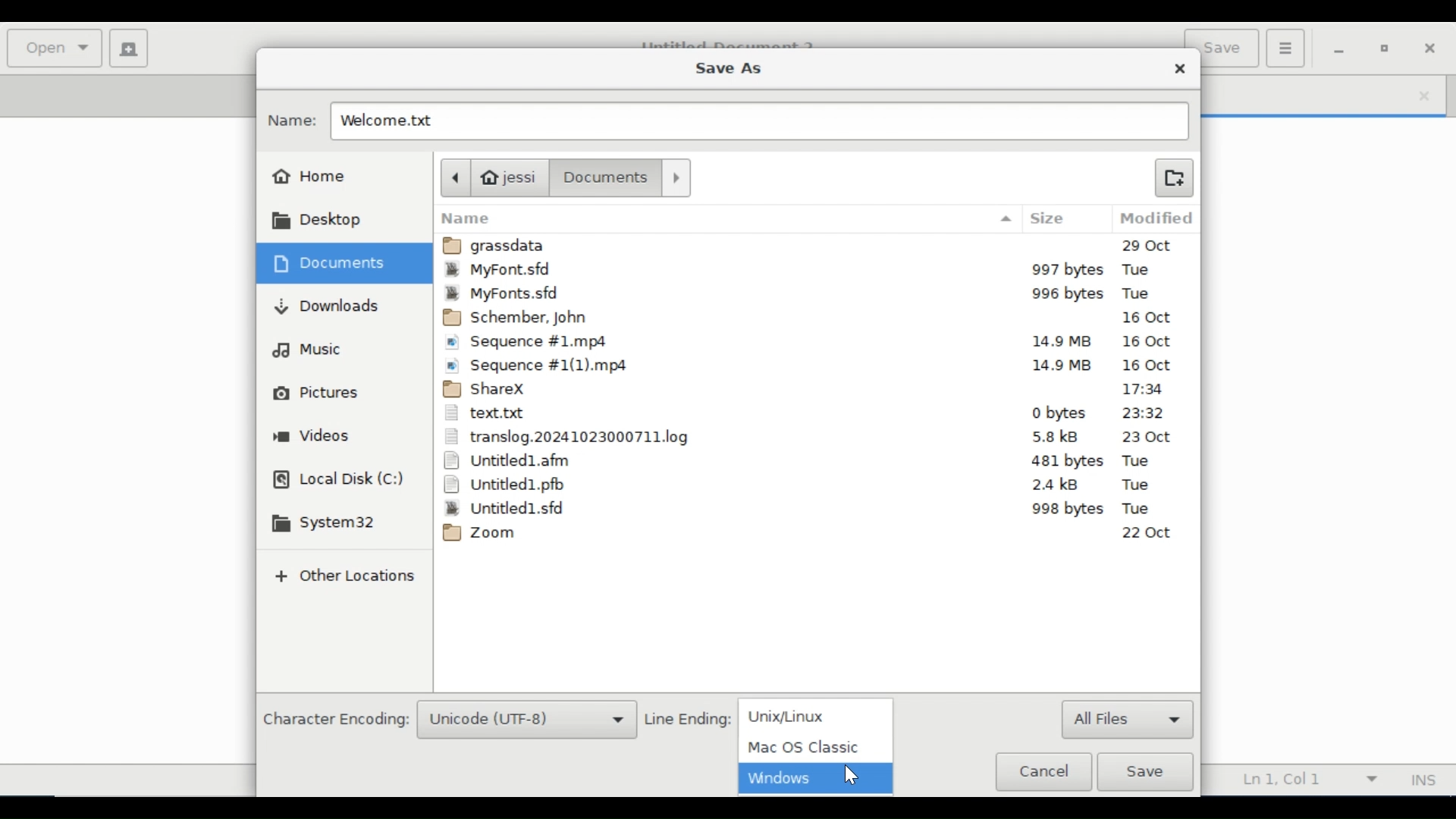 This screenshot has width=1456, height=819. Describe the element at coordinates (324, 309) in the screenshot. I see `Downloads` at that location.